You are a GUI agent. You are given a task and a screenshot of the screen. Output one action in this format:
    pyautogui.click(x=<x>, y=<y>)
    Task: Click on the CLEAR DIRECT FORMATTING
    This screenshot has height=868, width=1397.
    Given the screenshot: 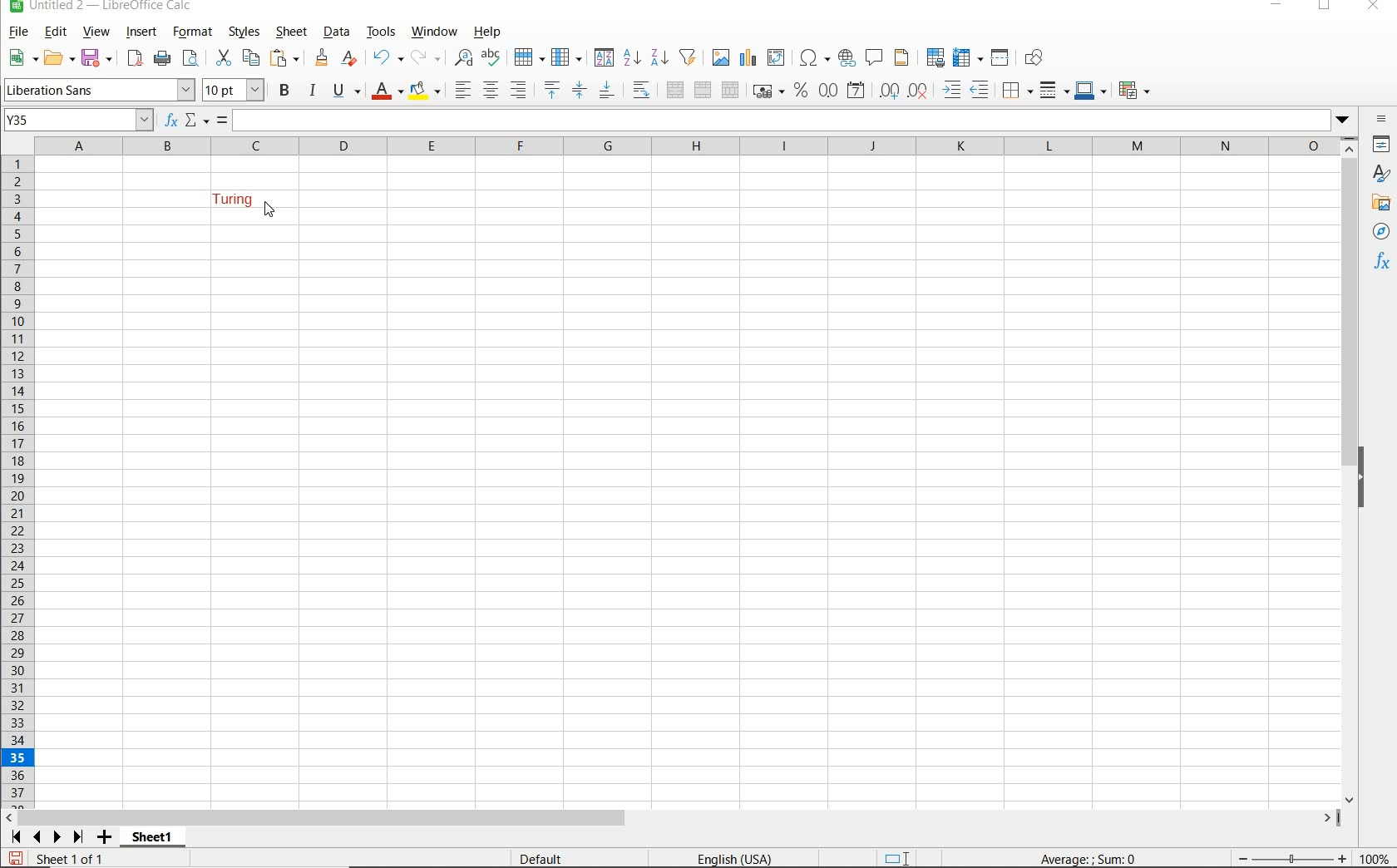 What is the action you would take?
    pyautogui.click(x=348, y=60)
    